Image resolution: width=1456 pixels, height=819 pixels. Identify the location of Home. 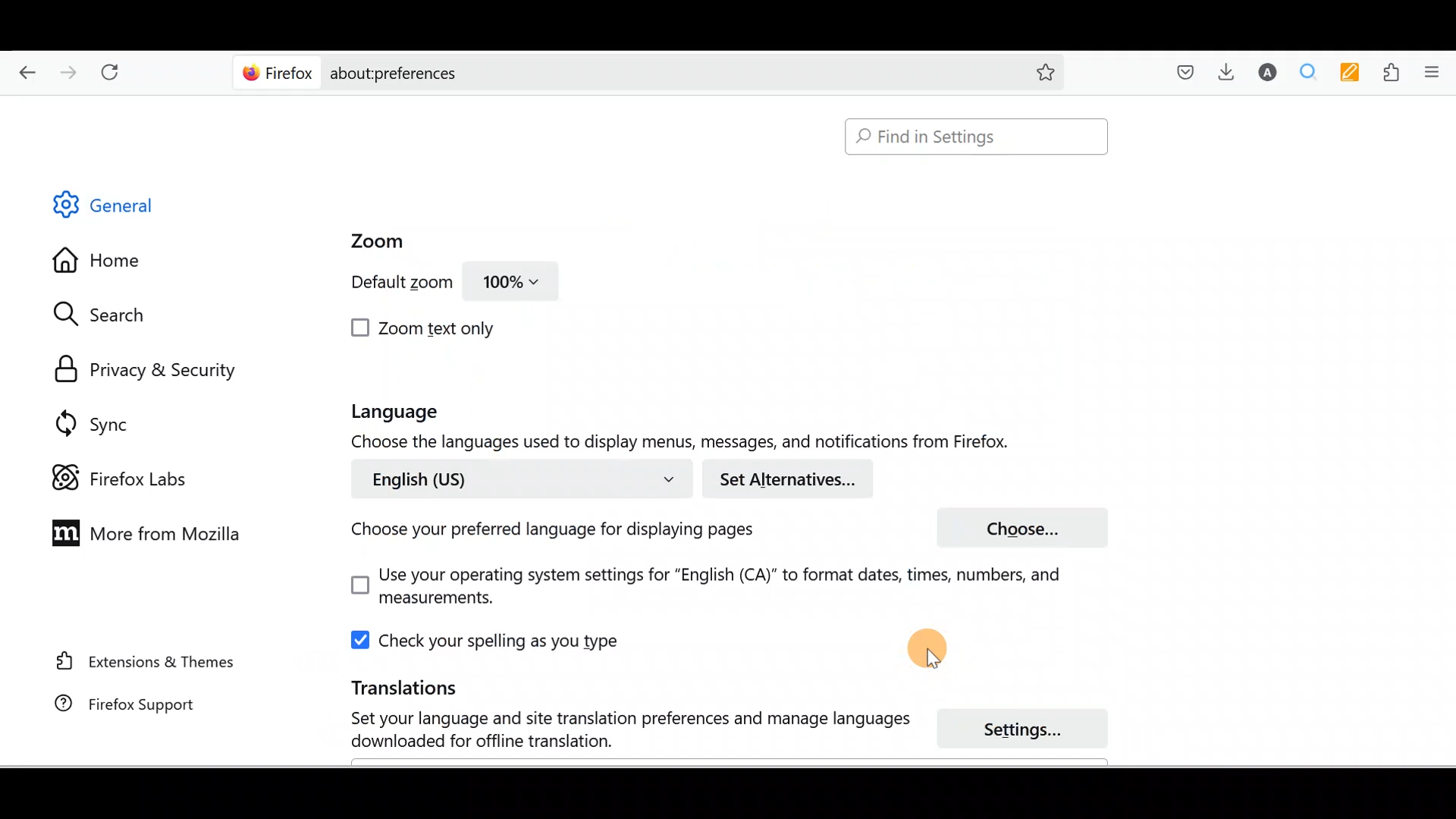
(108, 264).